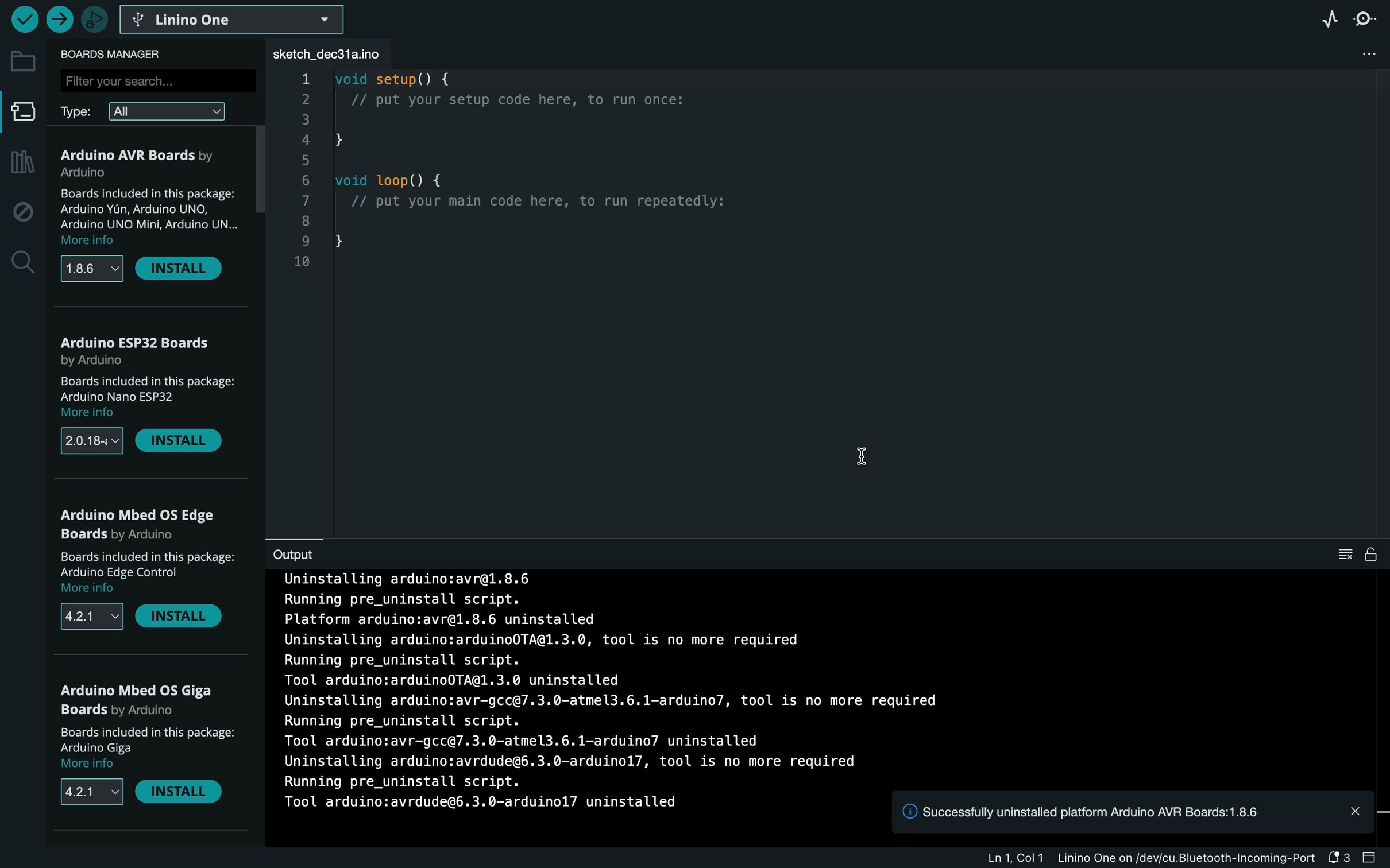  Describe the element at coordinates (87, 767) in the screenshot. I see `more info` at that location.